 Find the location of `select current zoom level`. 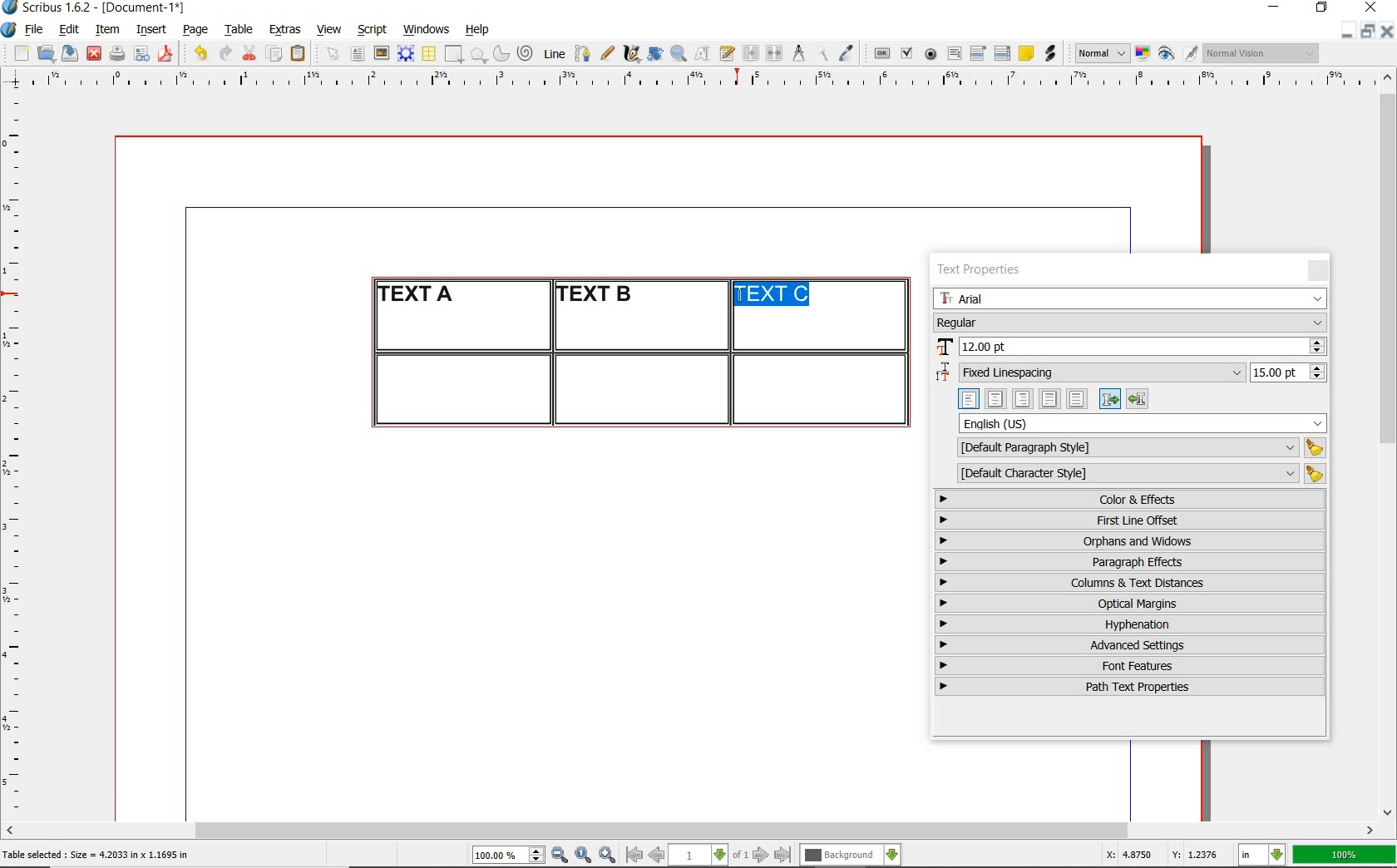

select current zoom level is located at coordinates (509, 855).